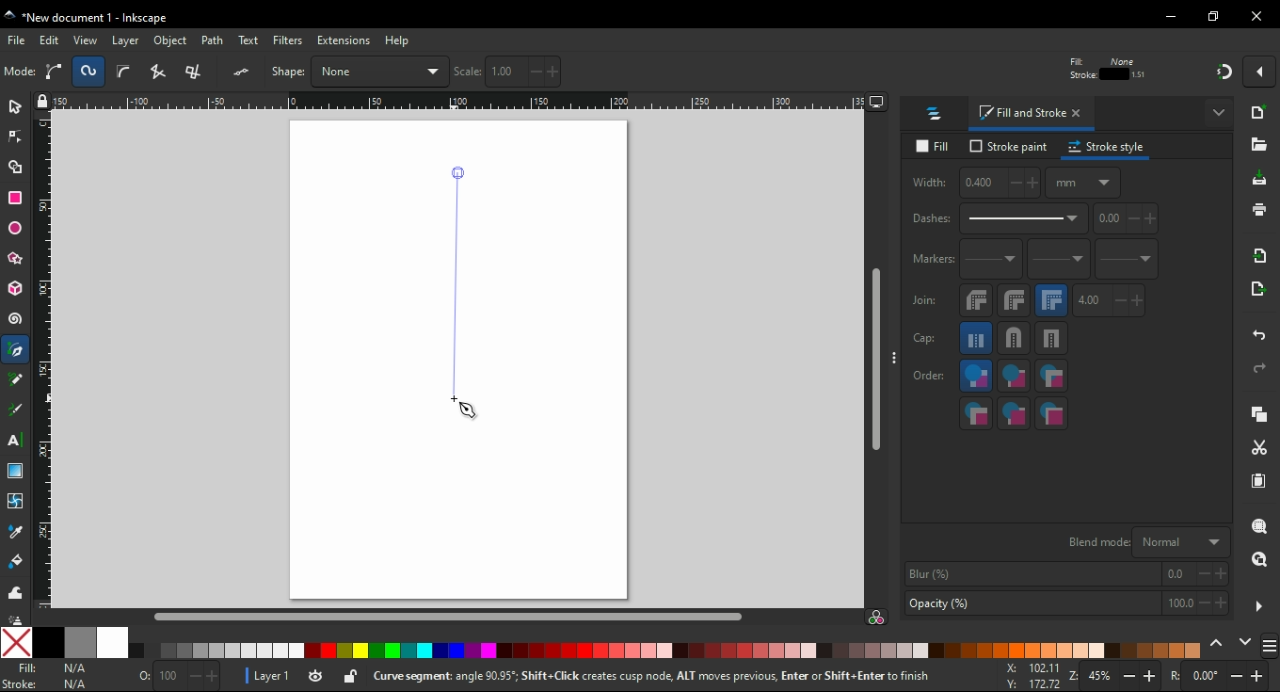 This screenshot has height=692, width=1280. Describe the element at coordinates (79, 642) in the screenshot. I see `50% grey` at that location.